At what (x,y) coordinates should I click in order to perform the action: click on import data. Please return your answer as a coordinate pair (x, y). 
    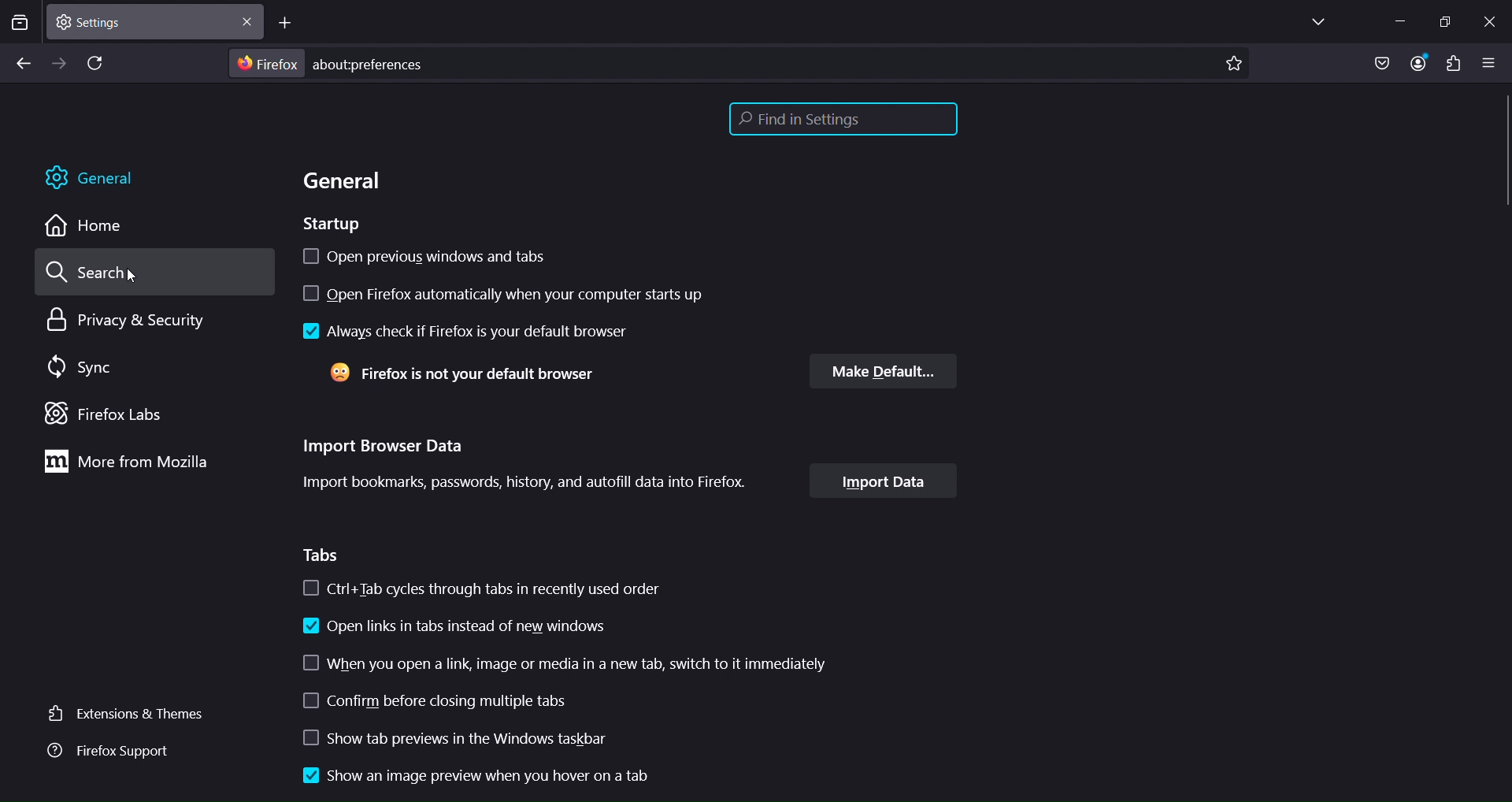
    Looking at the image, I should click on (882, 482).